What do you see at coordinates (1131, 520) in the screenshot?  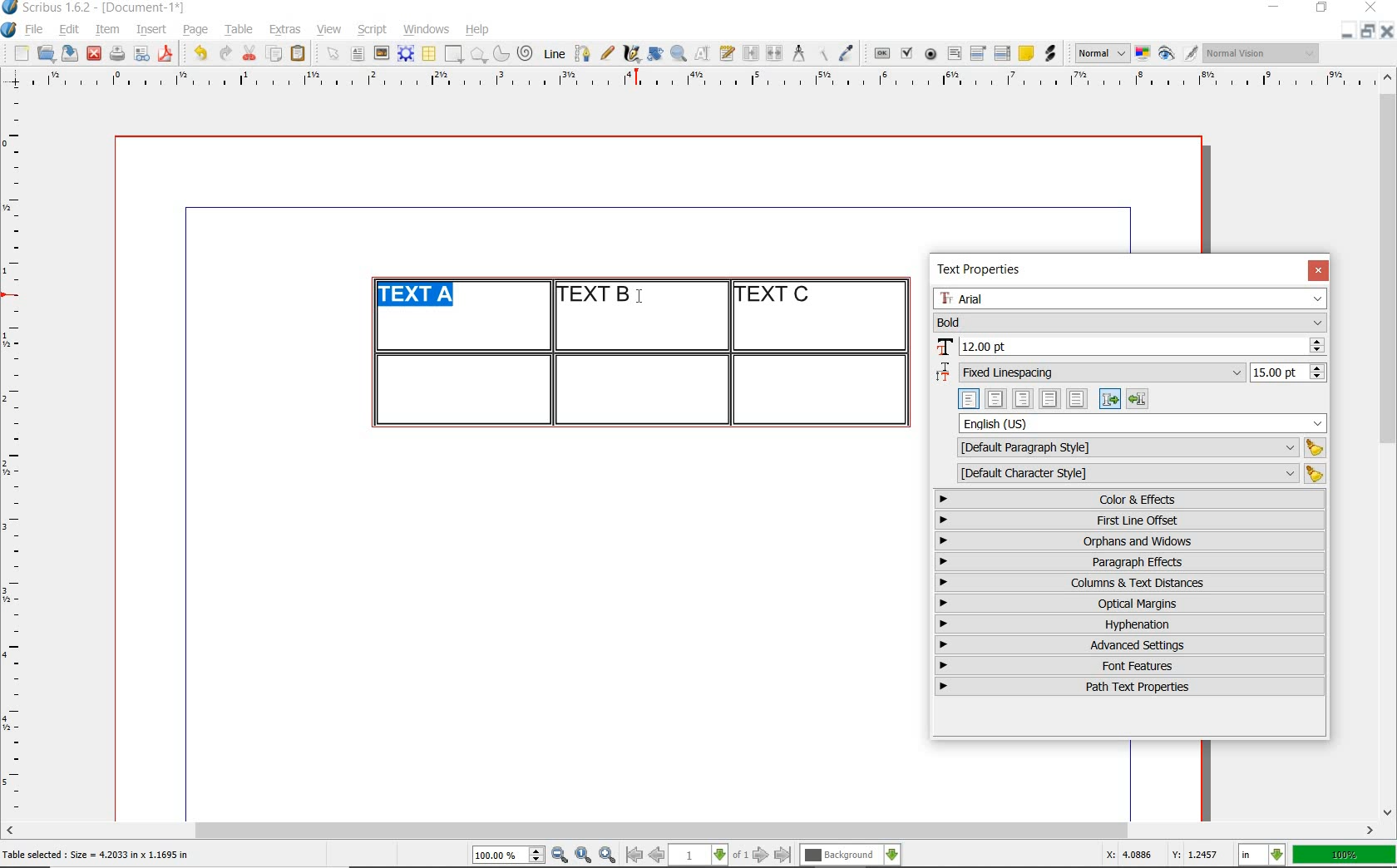 I see `first line offset` at bounding box center [1131, 520].